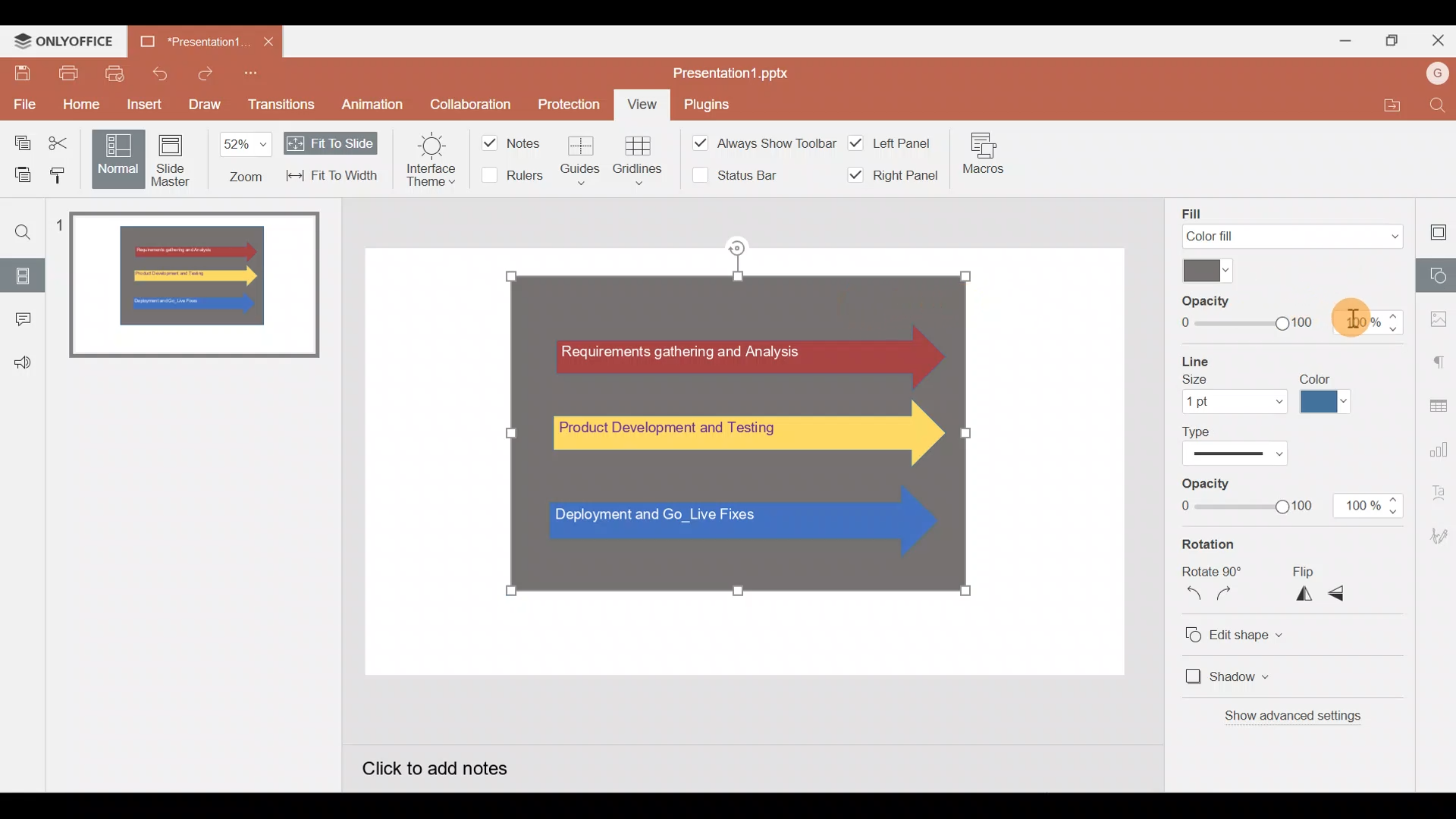  Describe the element at coordinates (1386, 105) in the screenshot. I see `Open file location` at that location.